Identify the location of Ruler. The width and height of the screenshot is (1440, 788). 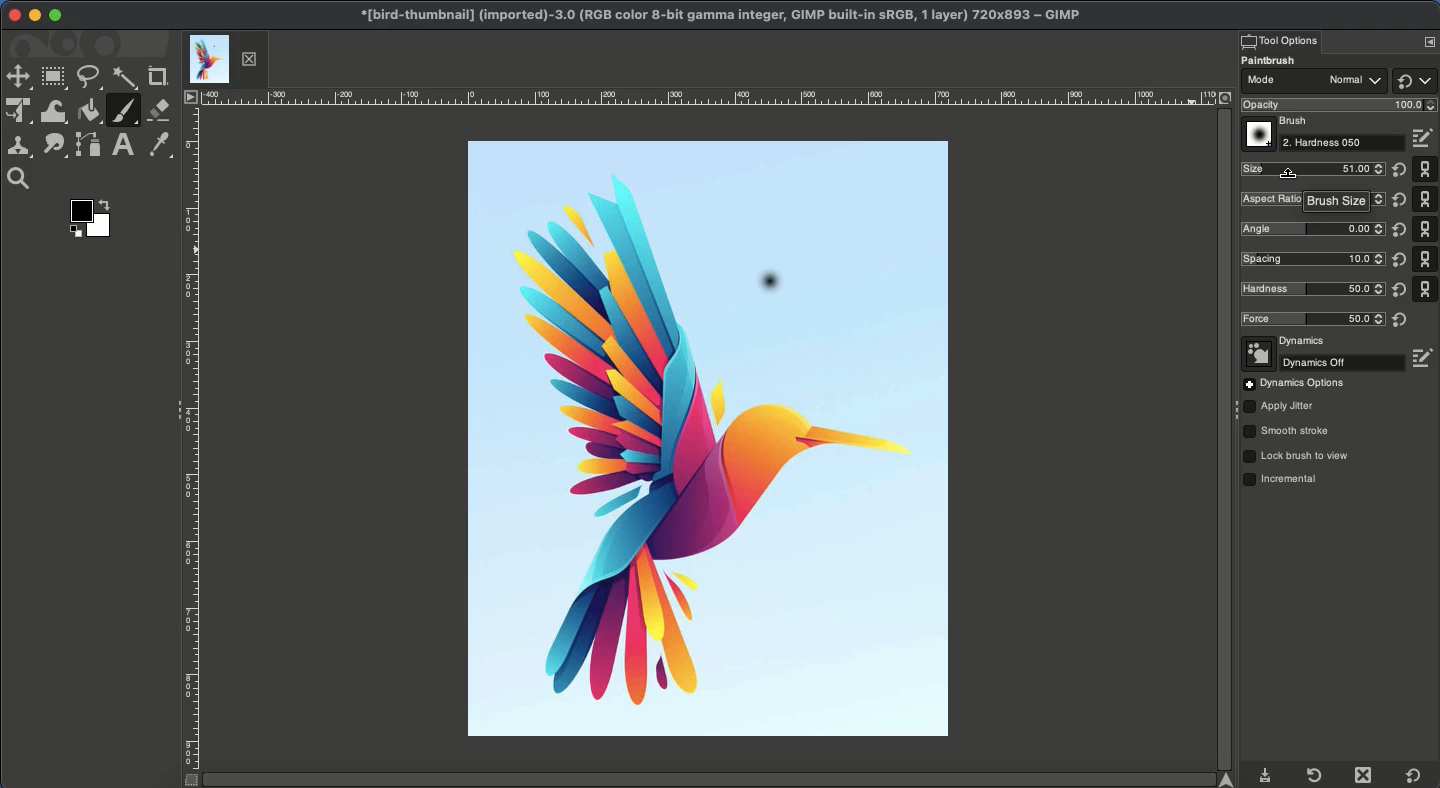
(190, 449).